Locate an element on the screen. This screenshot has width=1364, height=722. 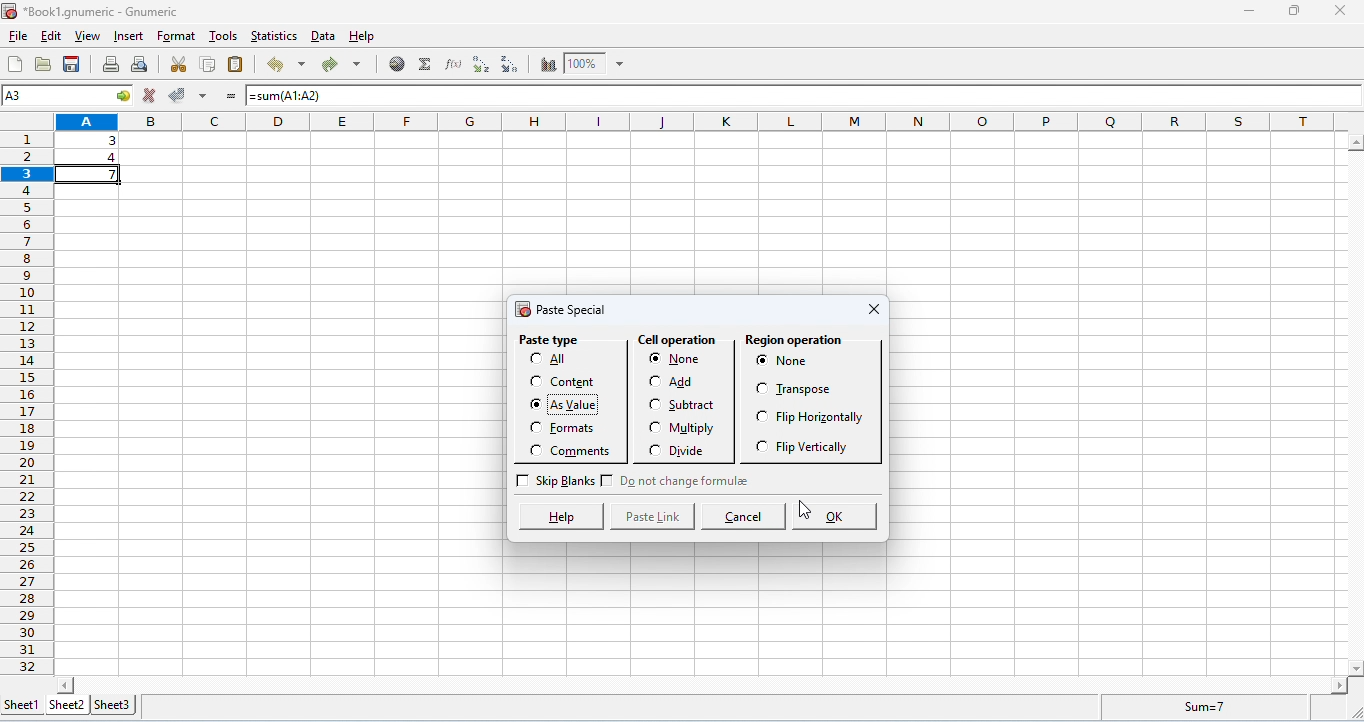
Book1.gnumeric - Gnumeric is located at coordinates (94, 13).